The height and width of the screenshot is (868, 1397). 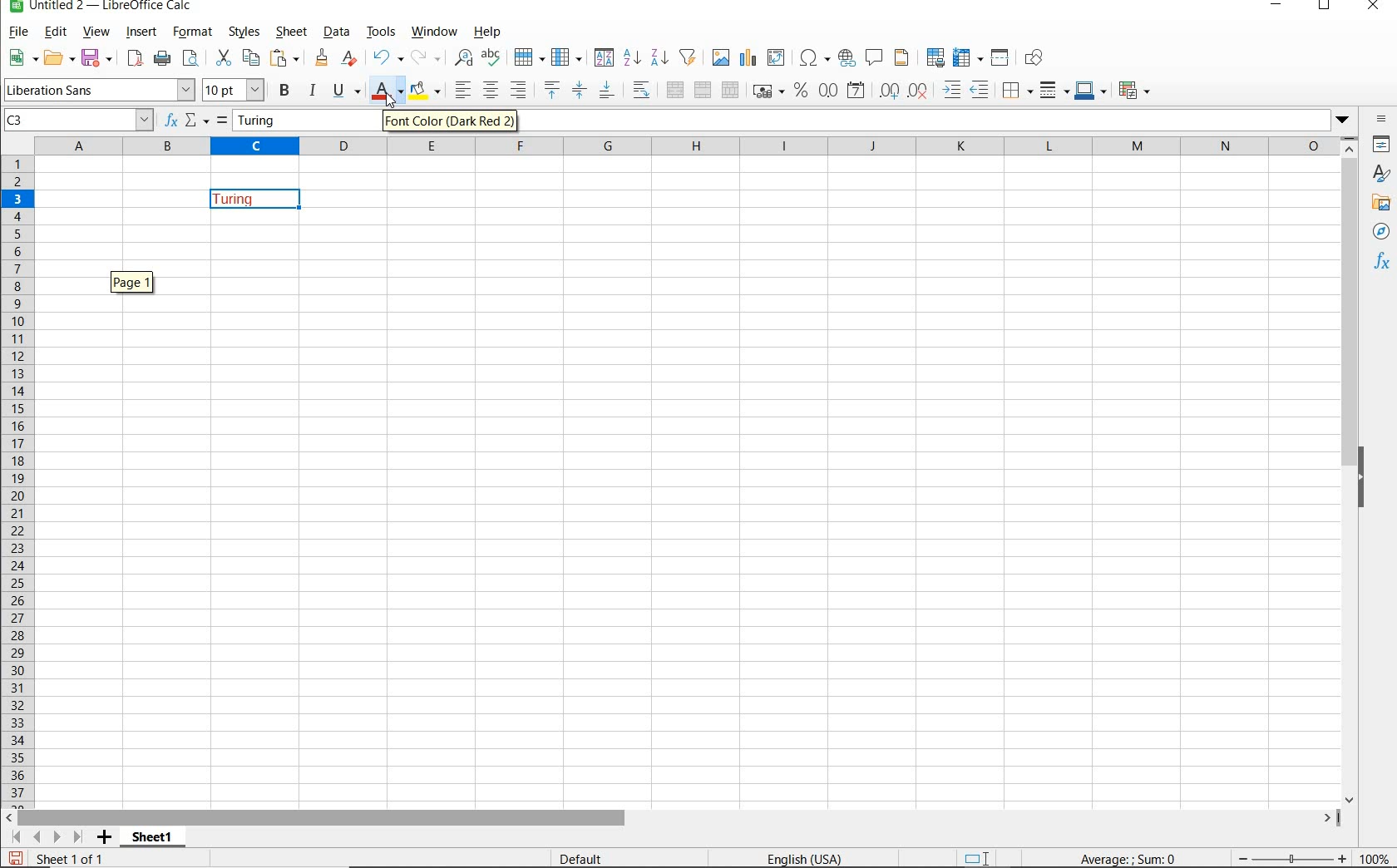 I want to click on MERGE CELLS, so click(x=703, y=91).